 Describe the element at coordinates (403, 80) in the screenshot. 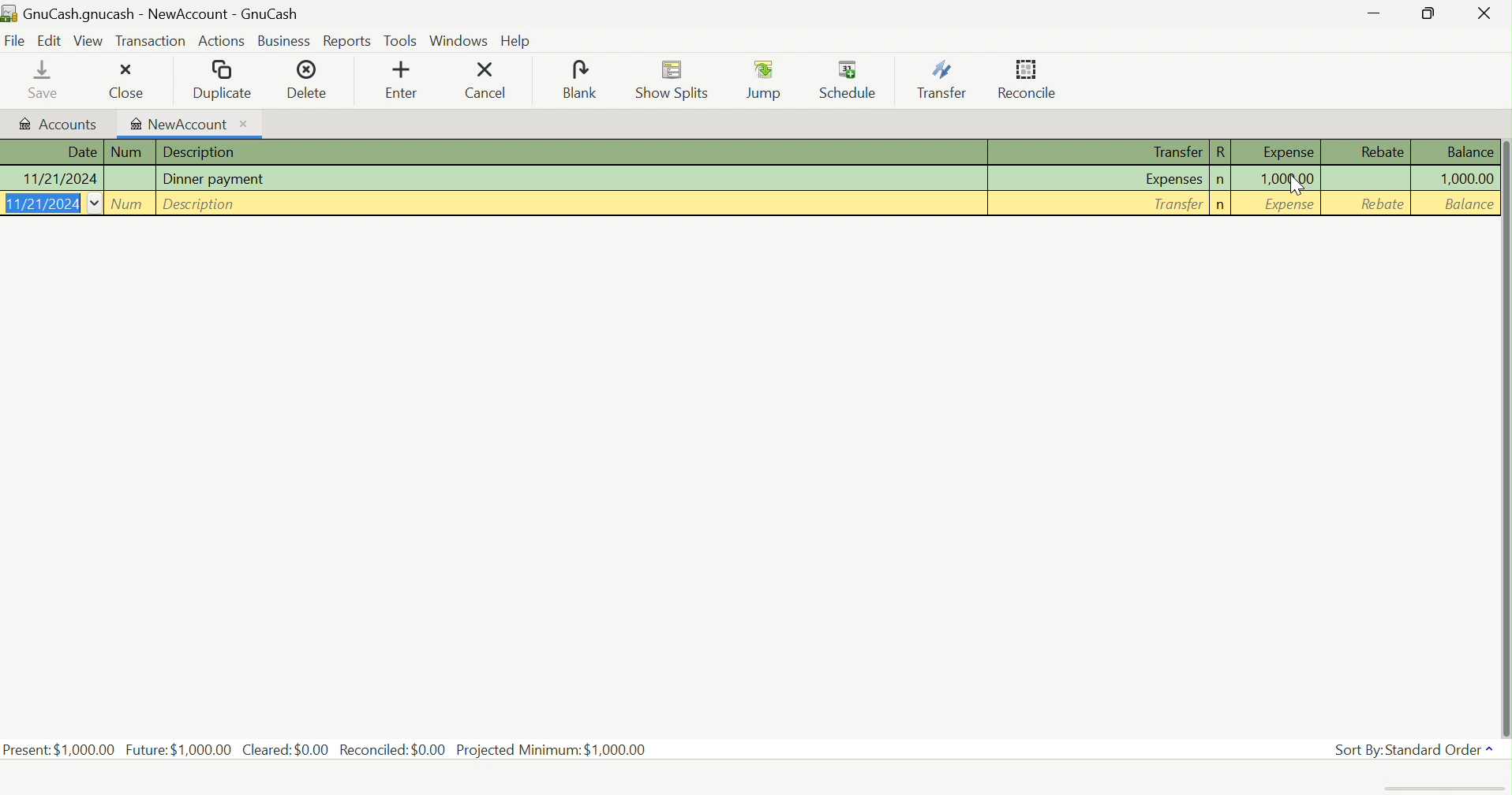

I see `Enter` at that location.